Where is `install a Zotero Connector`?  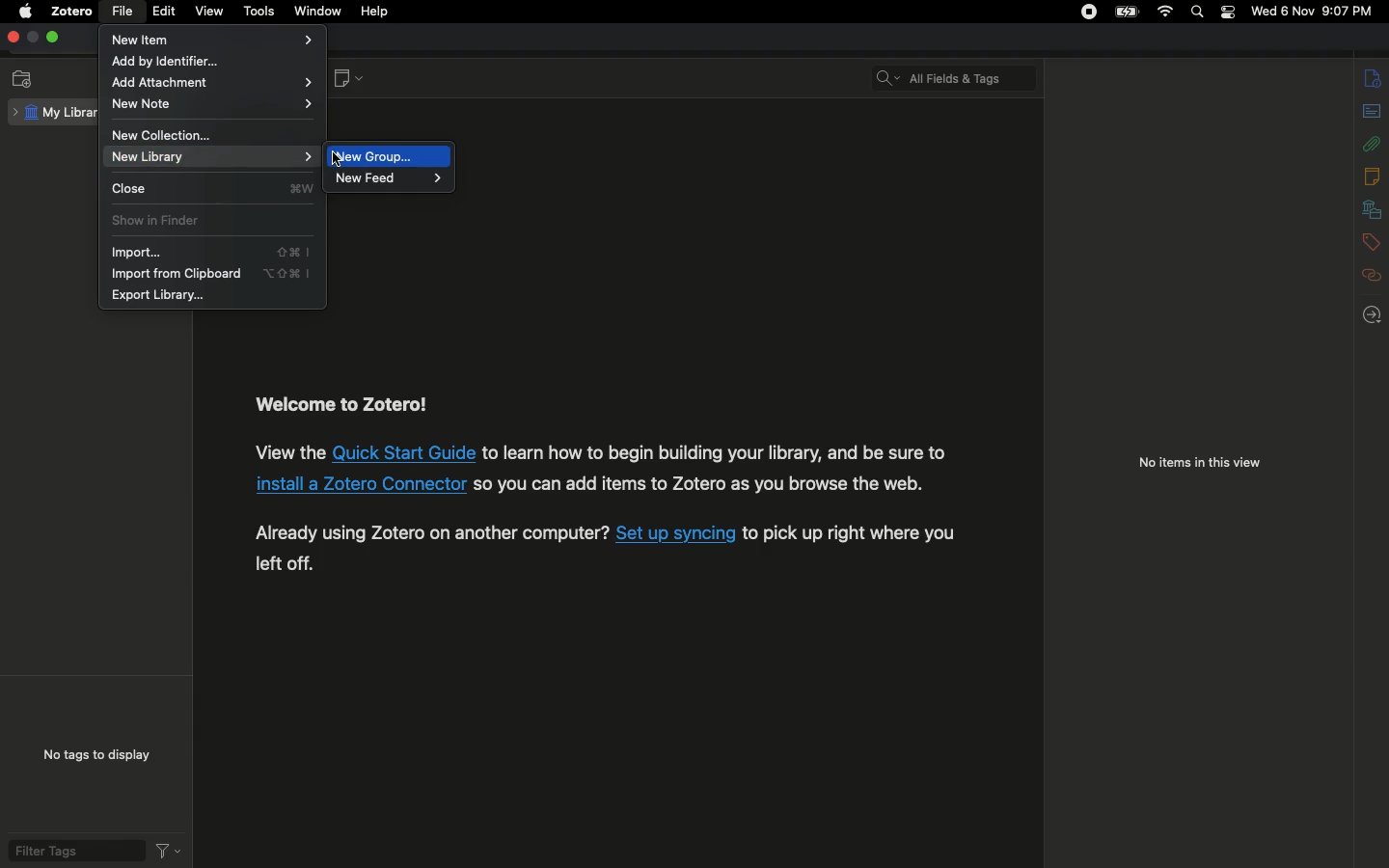
install a Zotero Connector is located at coordinates (360, 484).